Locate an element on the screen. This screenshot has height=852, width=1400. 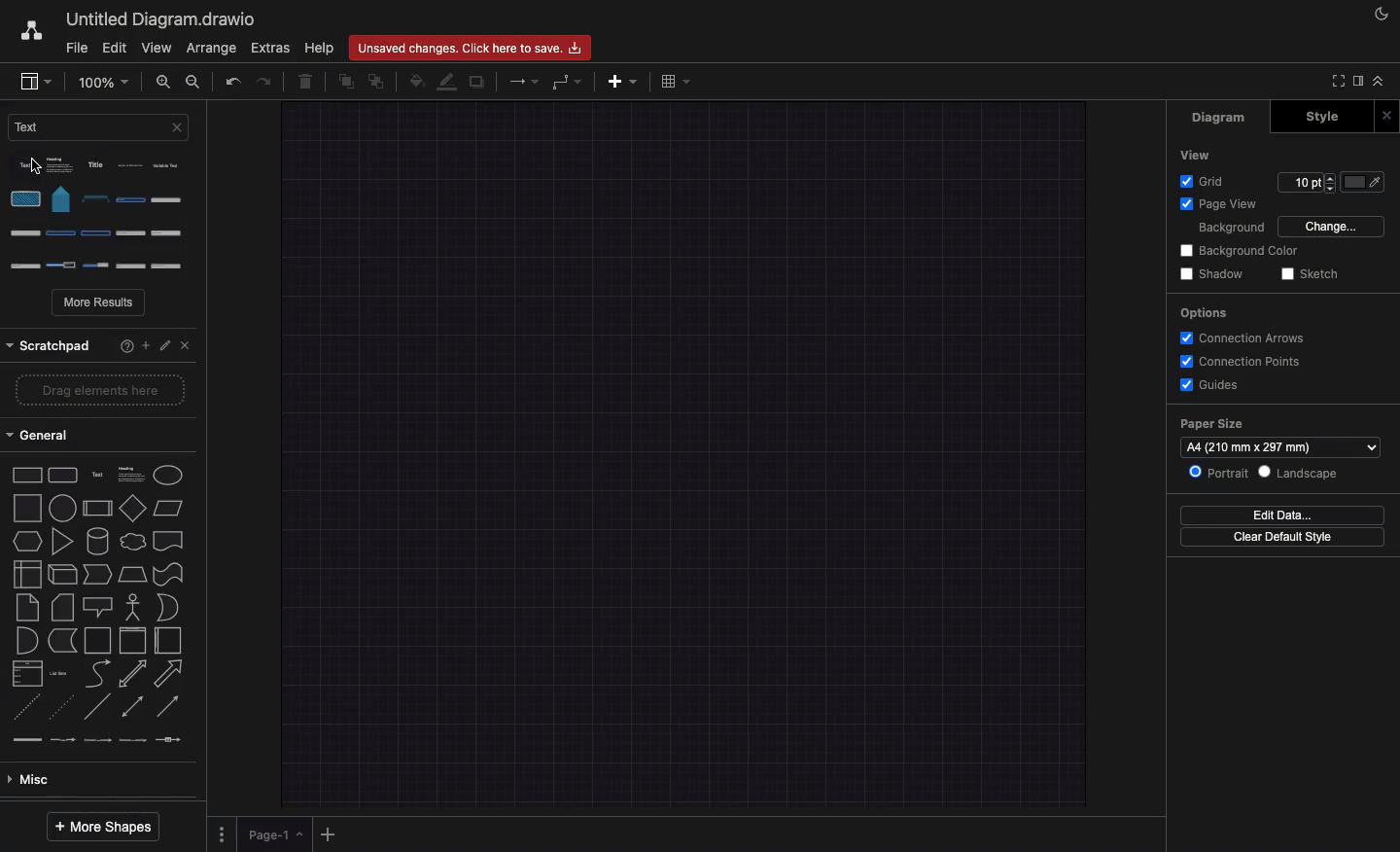
Untitled is located at coordinates (157, 20).